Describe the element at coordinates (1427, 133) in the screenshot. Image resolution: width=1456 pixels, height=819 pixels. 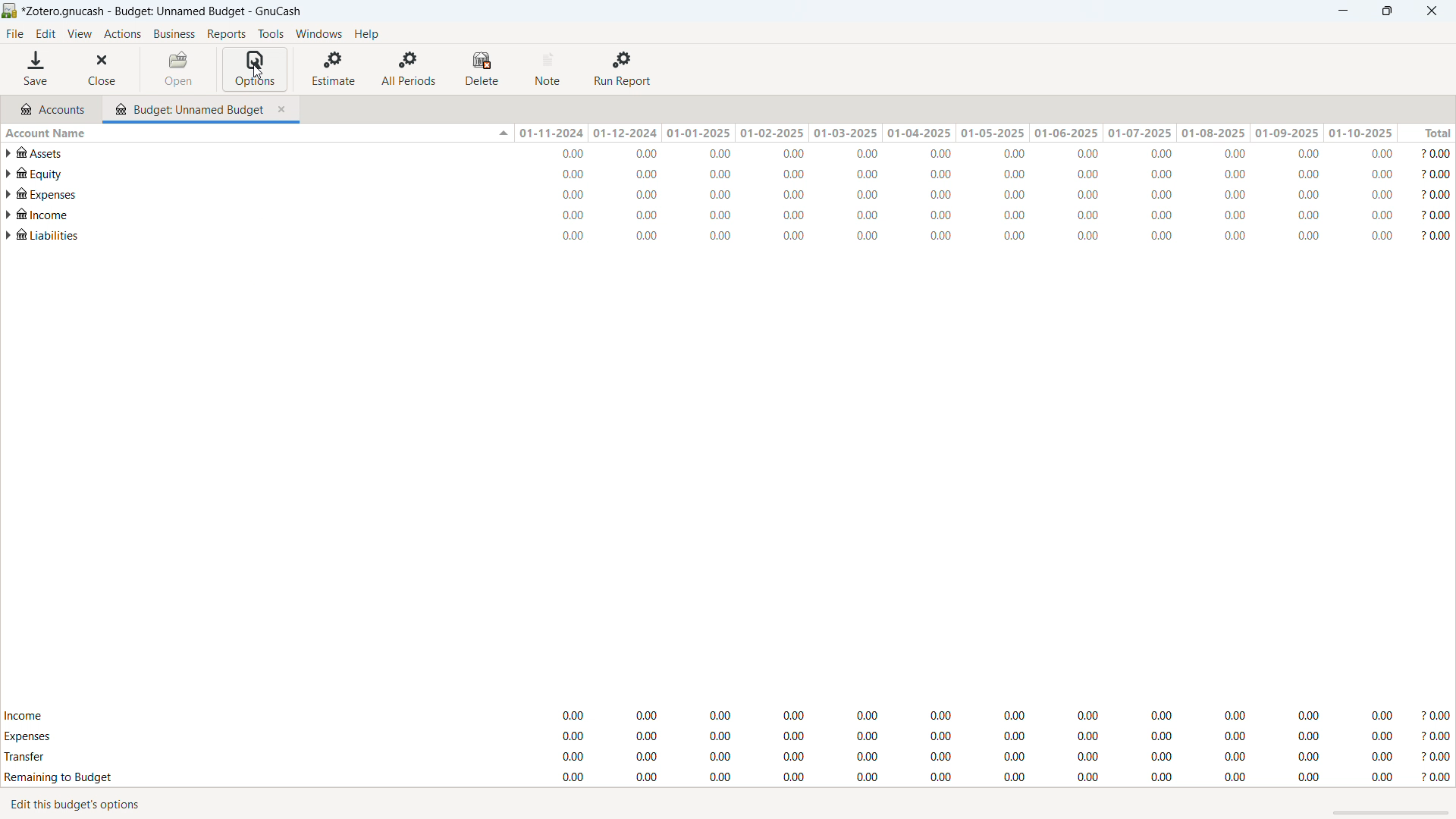
I see `total` at that location.